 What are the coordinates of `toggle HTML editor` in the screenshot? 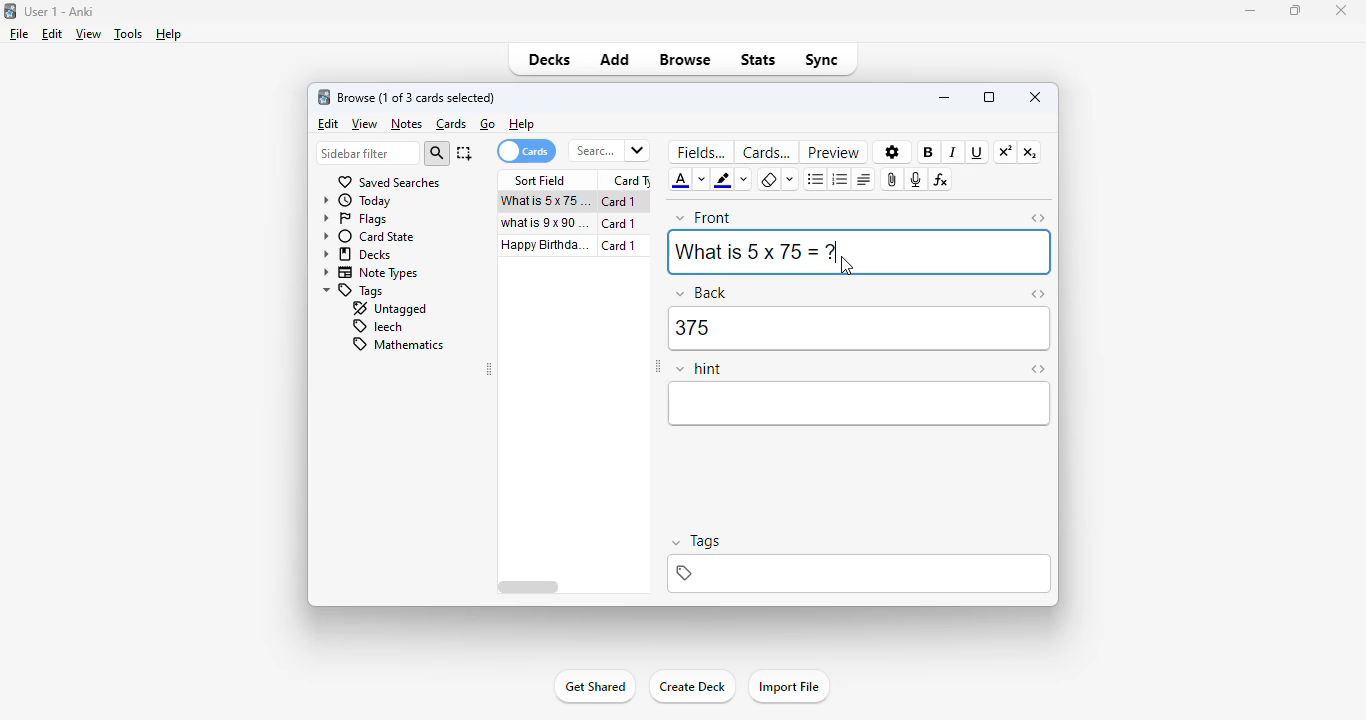 It's located at (1038, 369).